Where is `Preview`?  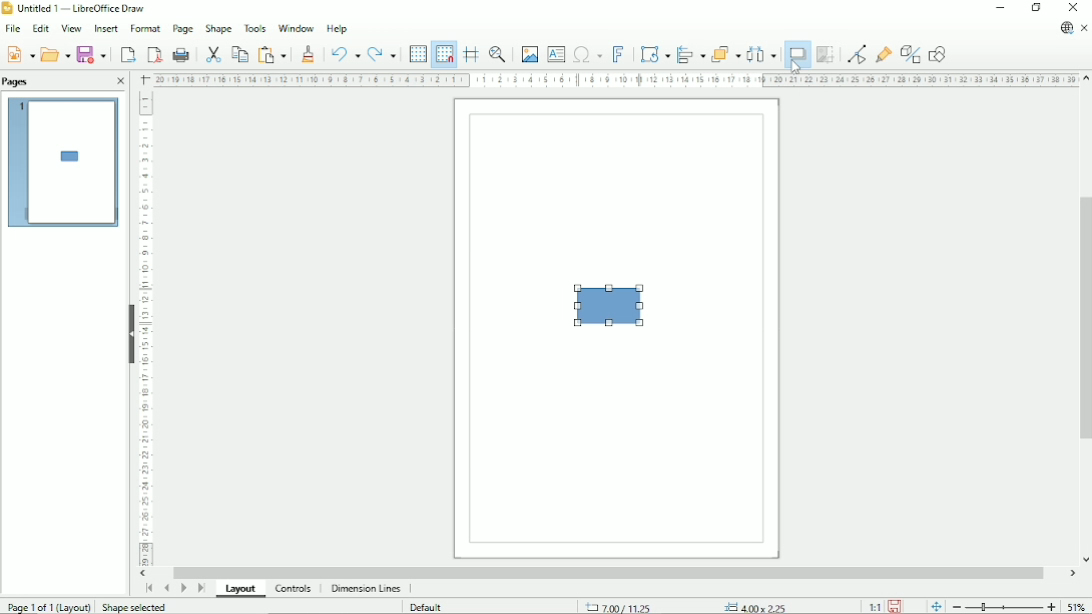
Preview is located at coordinates (64, 162).